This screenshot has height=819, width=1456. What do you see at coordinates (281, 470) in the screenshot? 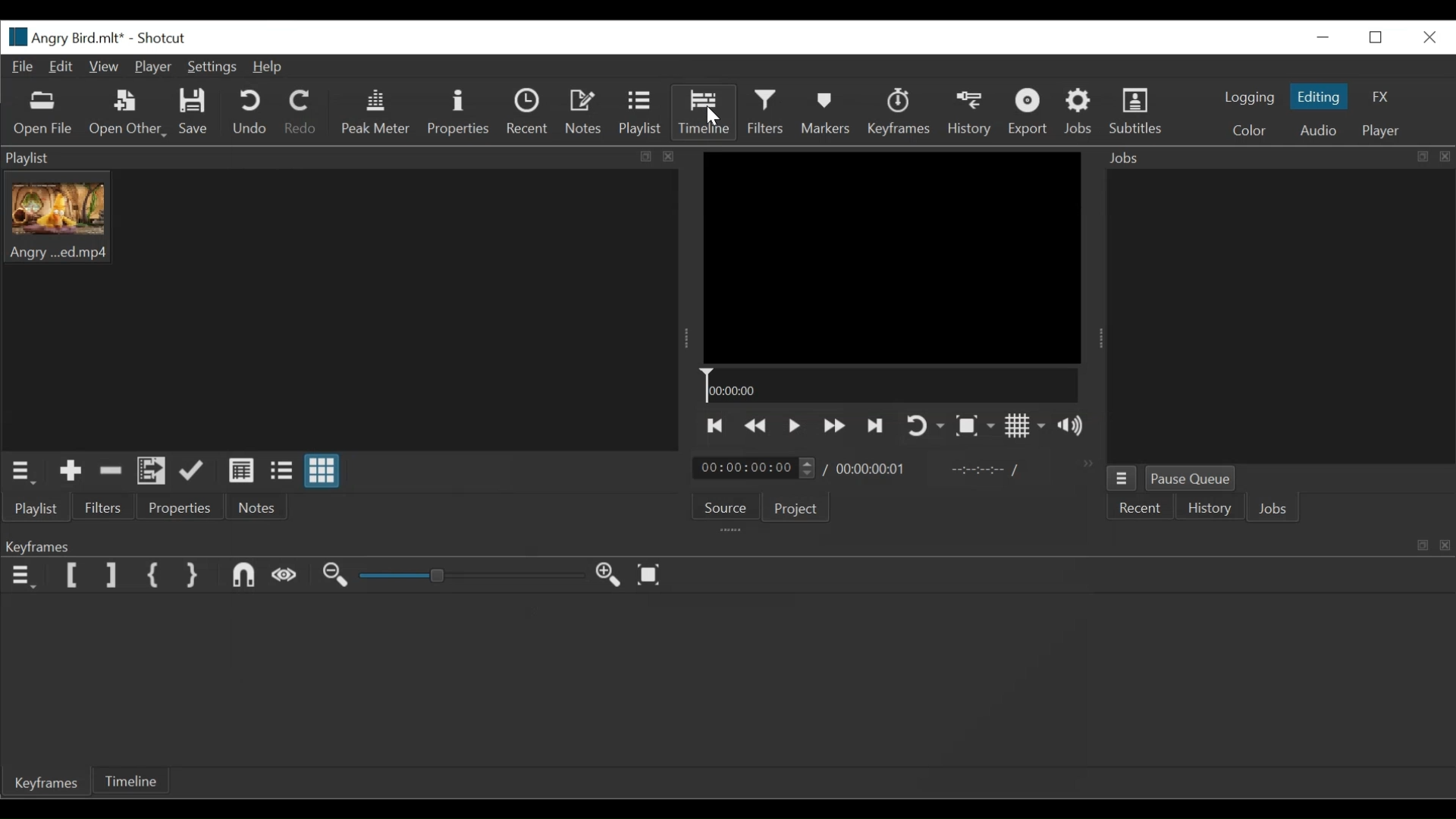
I see `View as files` at bounding box center [281, 470].